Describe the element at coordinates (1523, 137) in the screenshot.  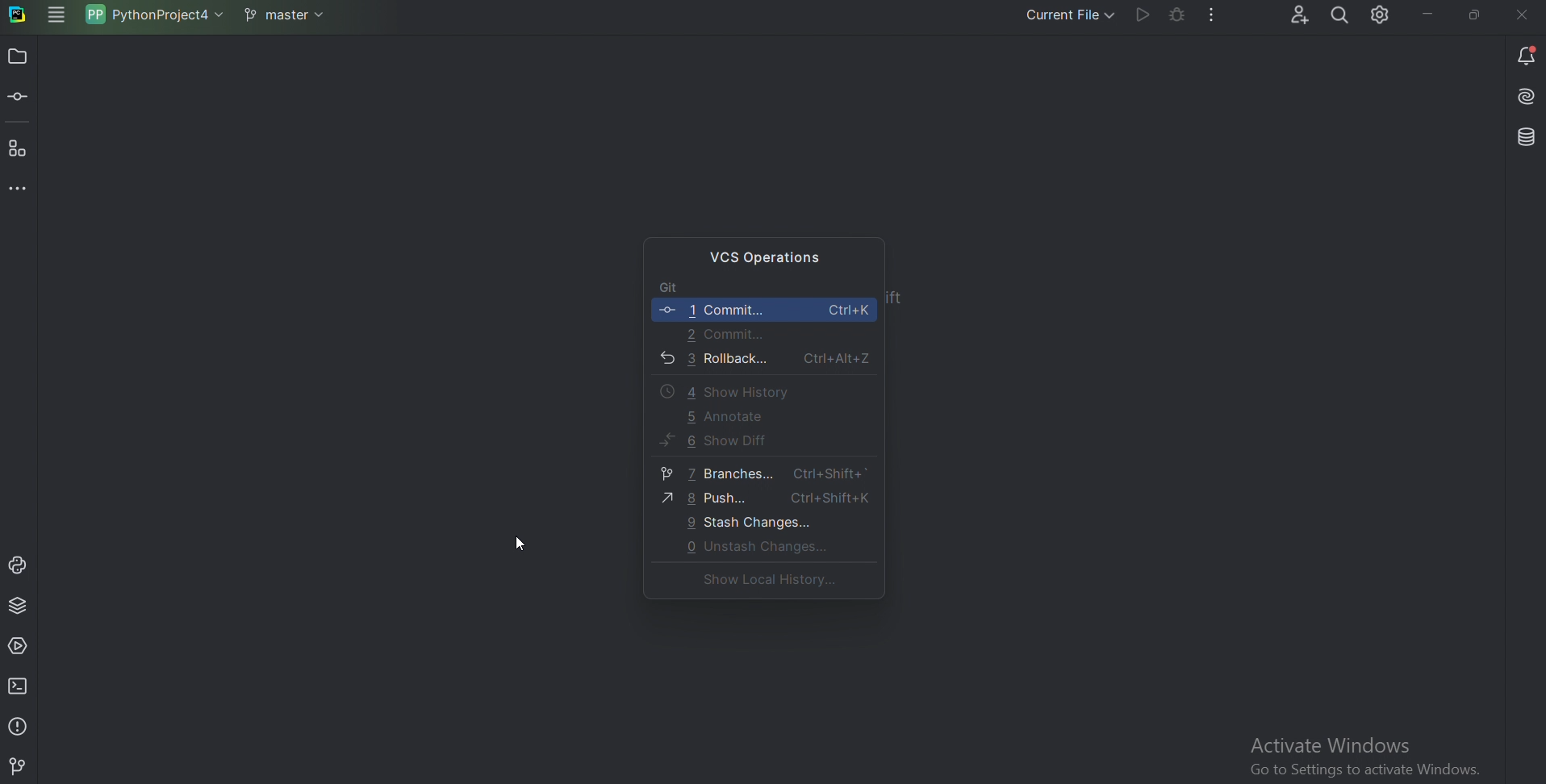
I see `Database` at that location.